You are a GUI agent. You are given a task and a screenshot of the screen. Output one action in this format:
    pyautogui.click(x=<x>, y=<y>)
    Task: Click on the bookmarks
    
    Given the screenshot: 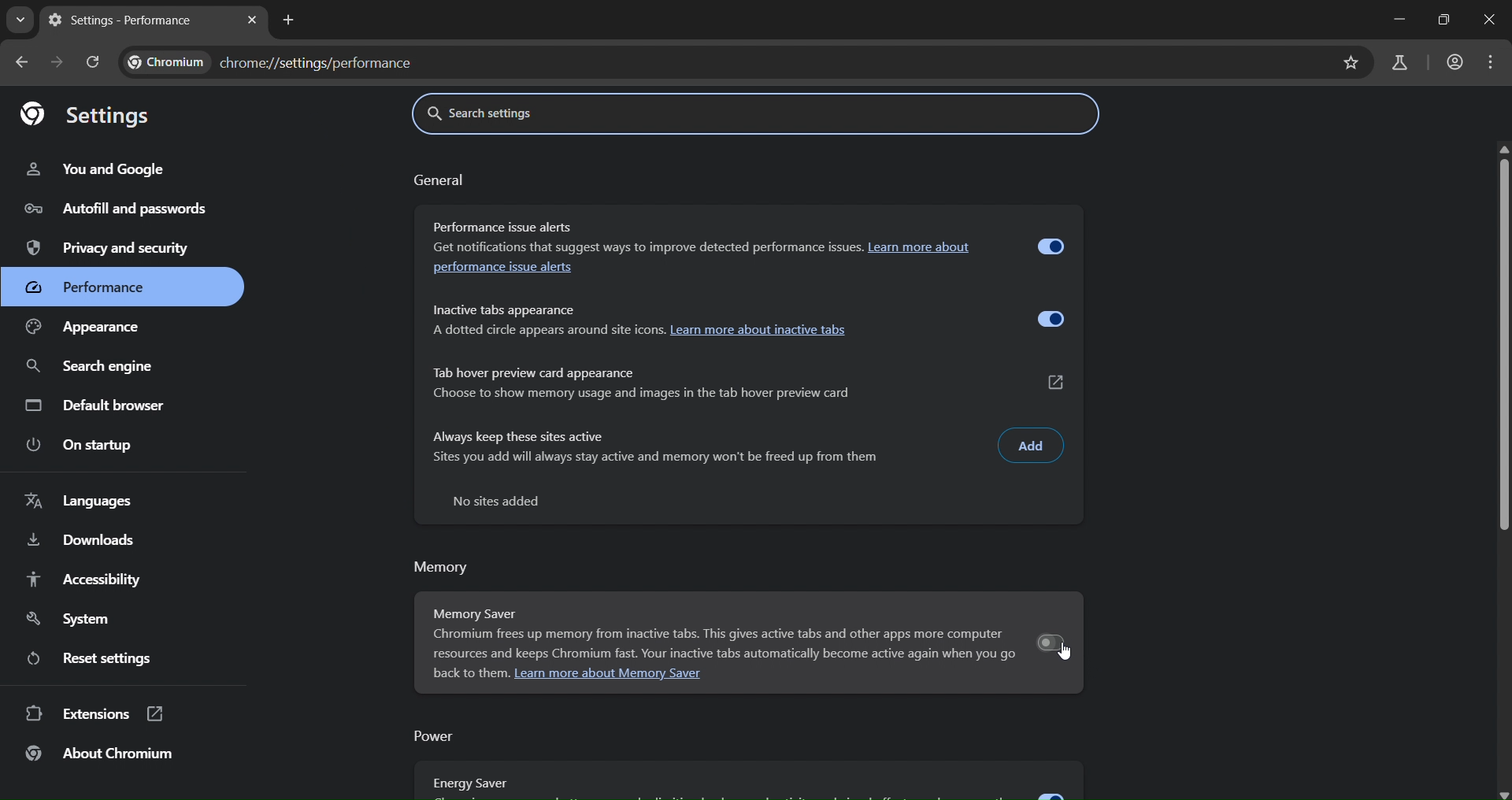 What is the action you would take?
    pyautogui.click(x=1351, y=65)
    